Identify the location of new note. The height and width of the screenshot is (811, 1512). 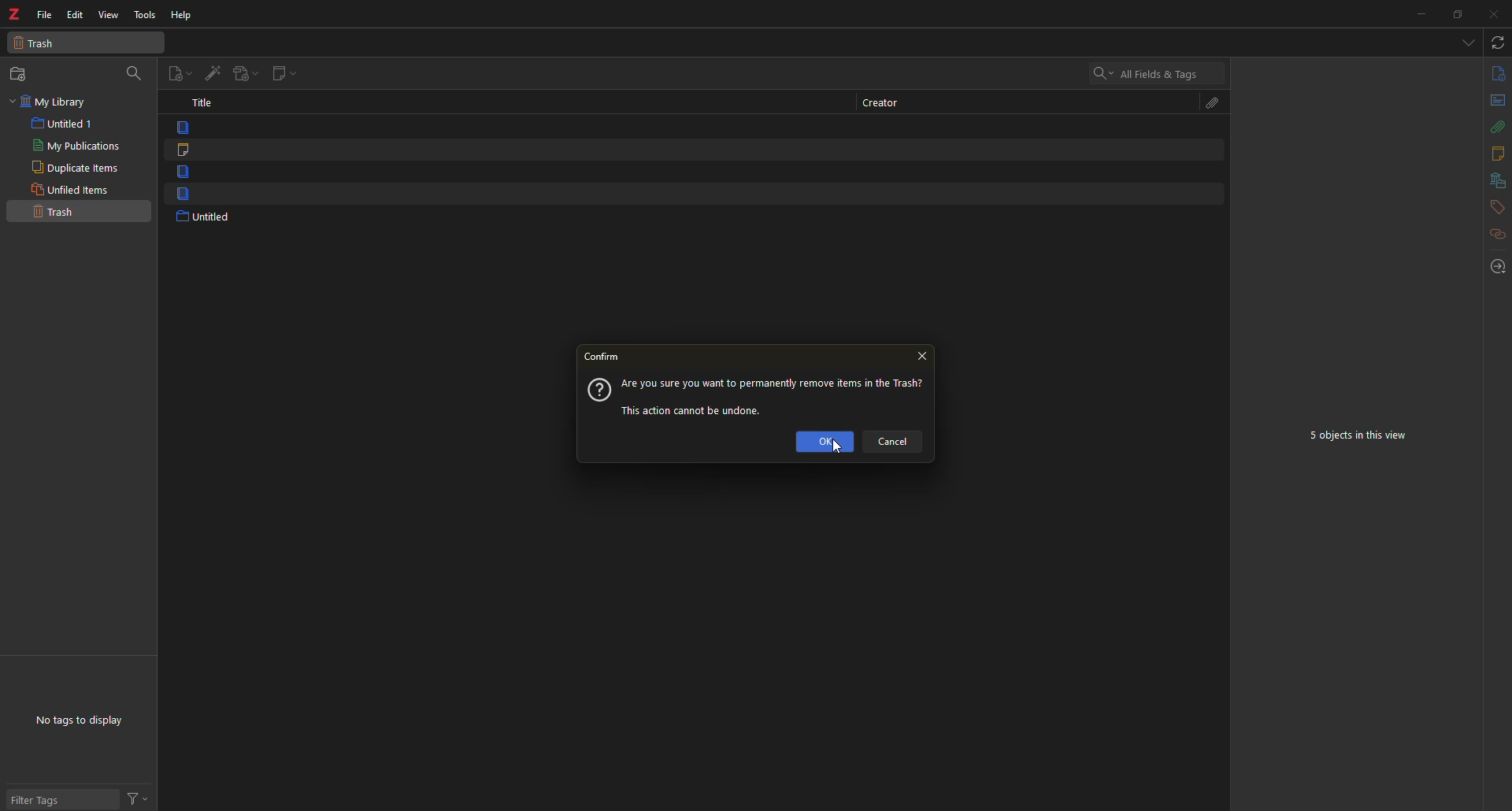
(280, 74).